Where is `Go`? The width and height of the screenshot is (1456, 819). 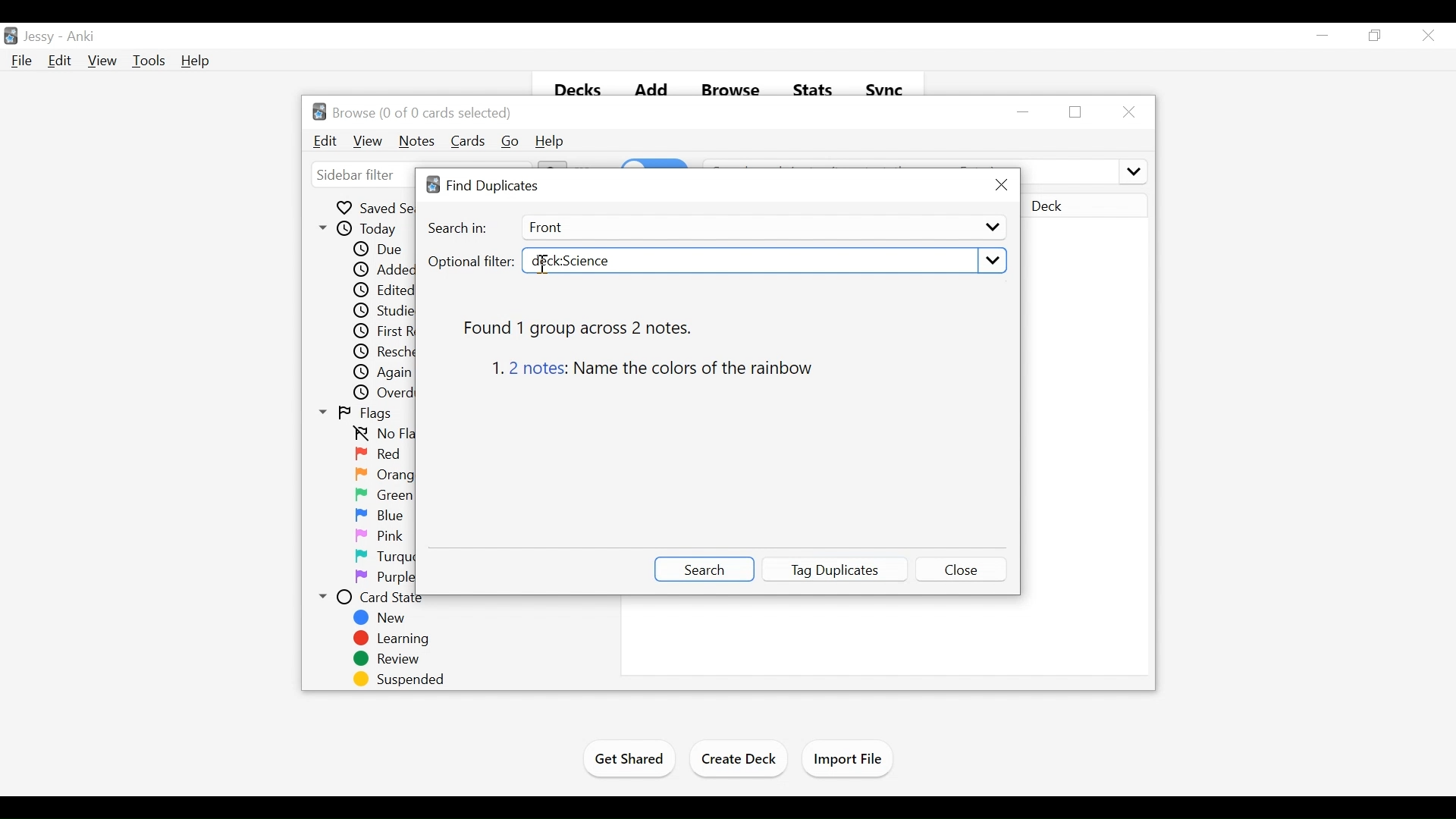
Go is located at coordinates (510, 142).